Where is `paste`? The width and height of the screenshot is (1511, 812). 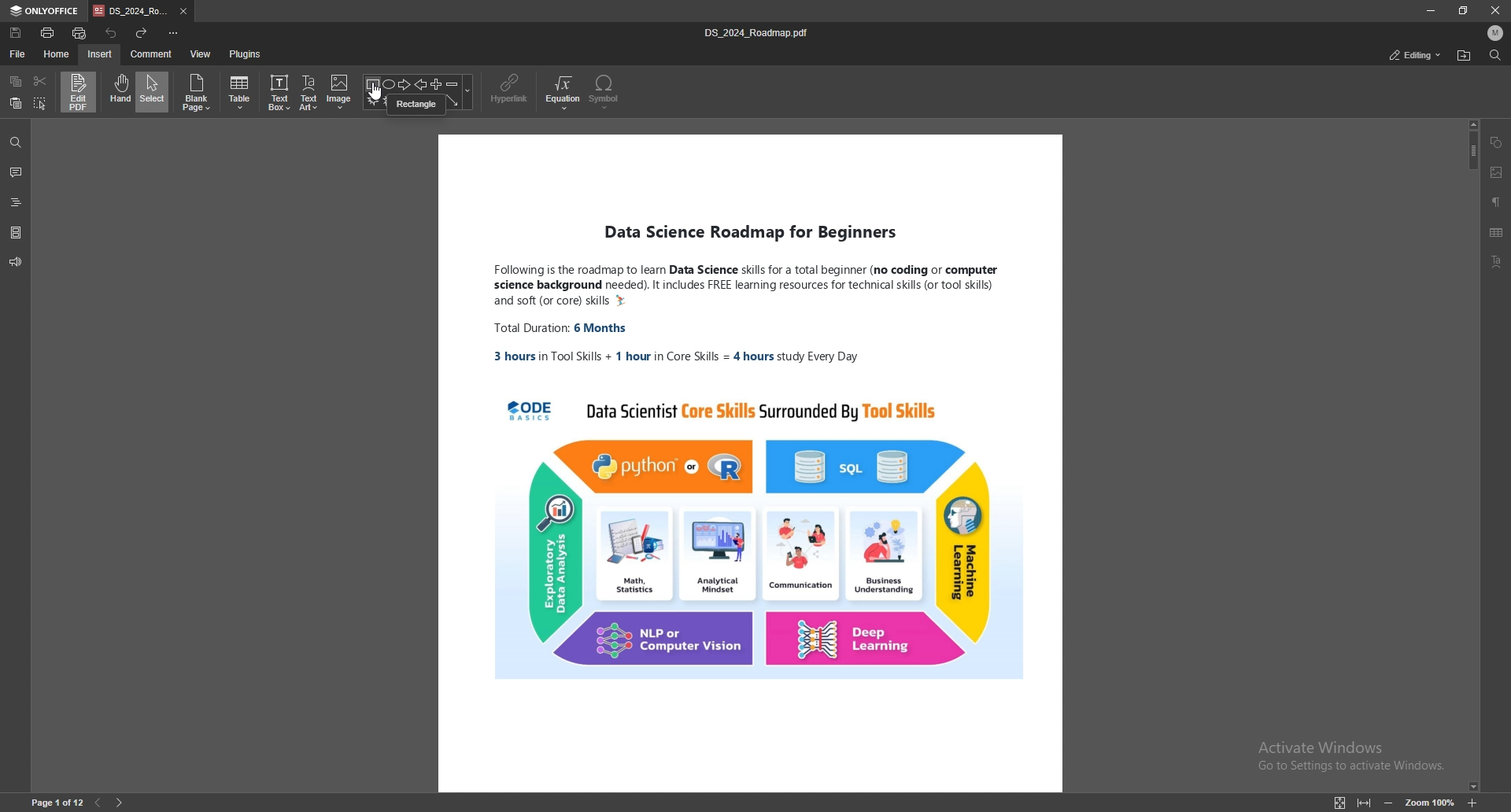 paste is located at coordinates (16, 104).